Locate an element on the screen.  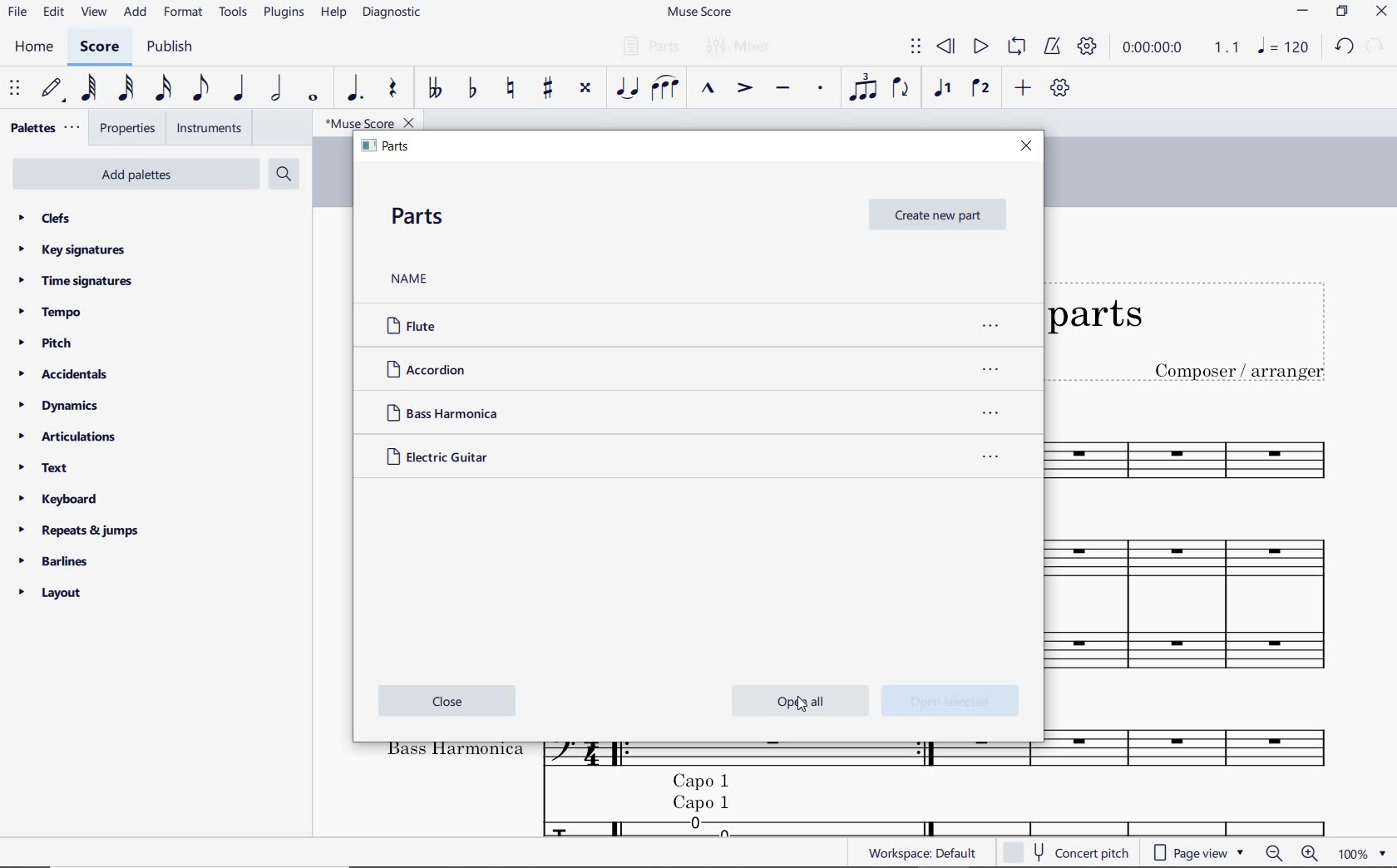
open selected is located at coordinates (957, 702).